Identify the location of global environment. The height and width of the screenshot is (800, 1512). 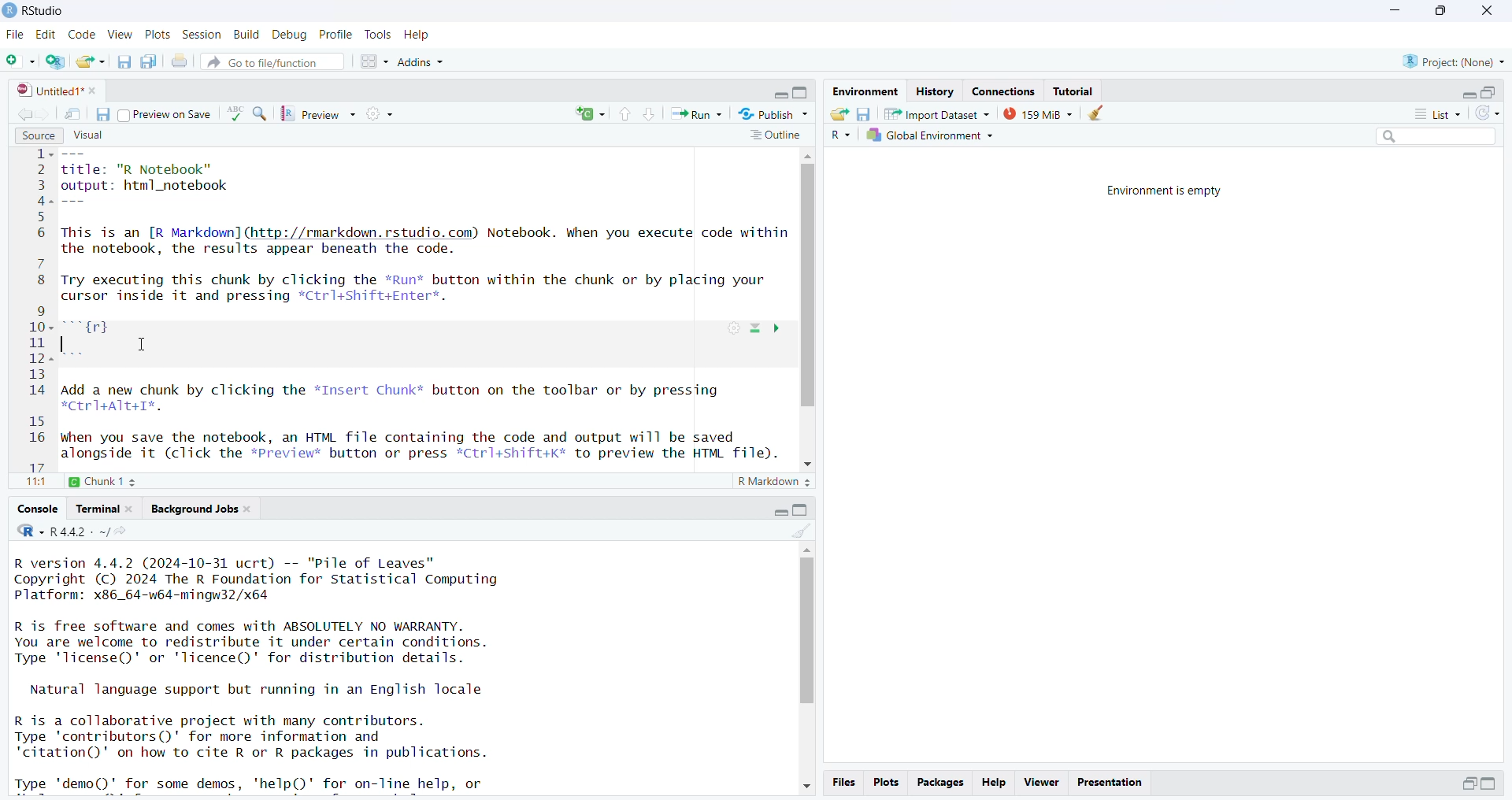
(928, 136).